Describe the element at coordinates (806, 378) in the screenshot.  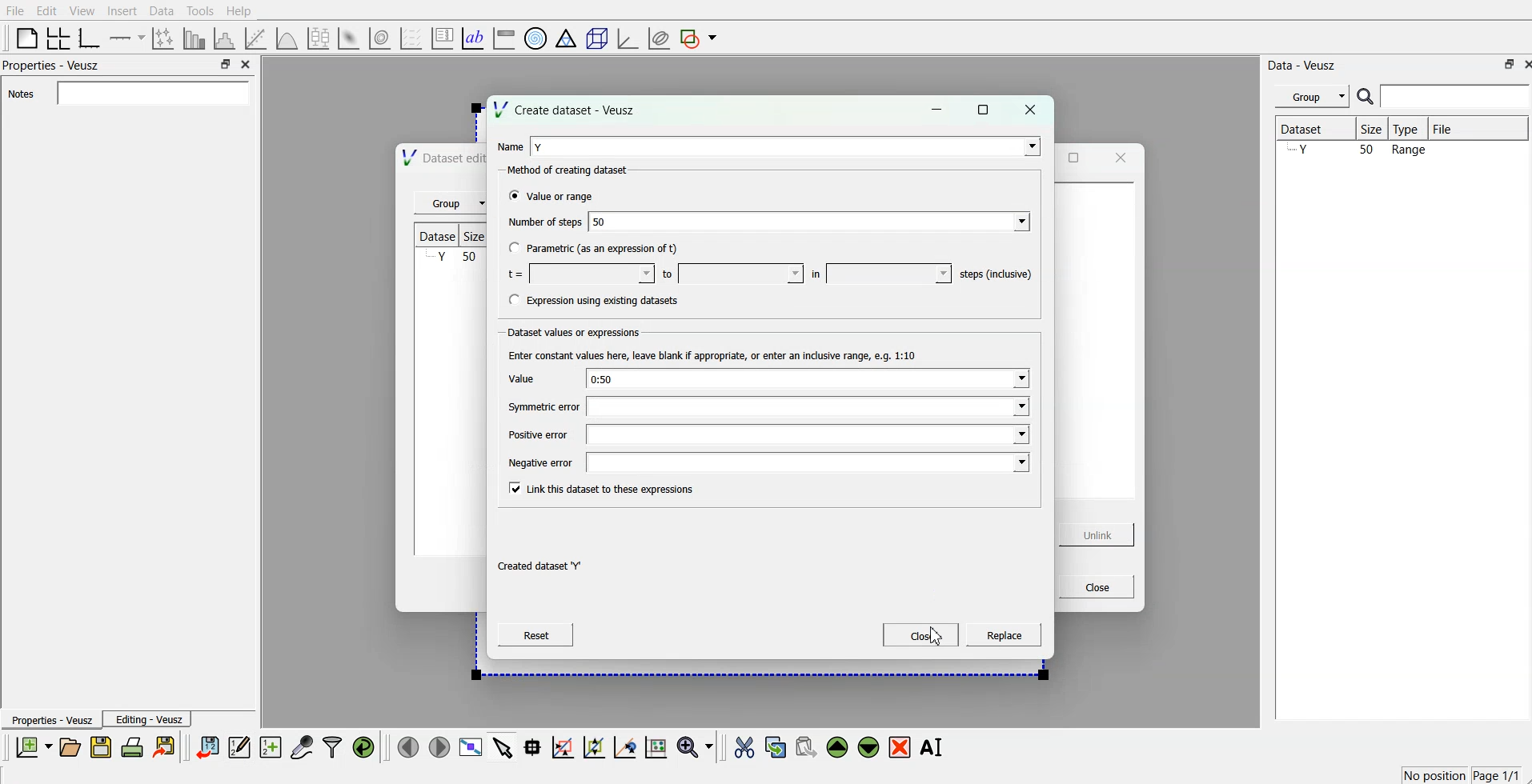
I see `0:50` at that location.